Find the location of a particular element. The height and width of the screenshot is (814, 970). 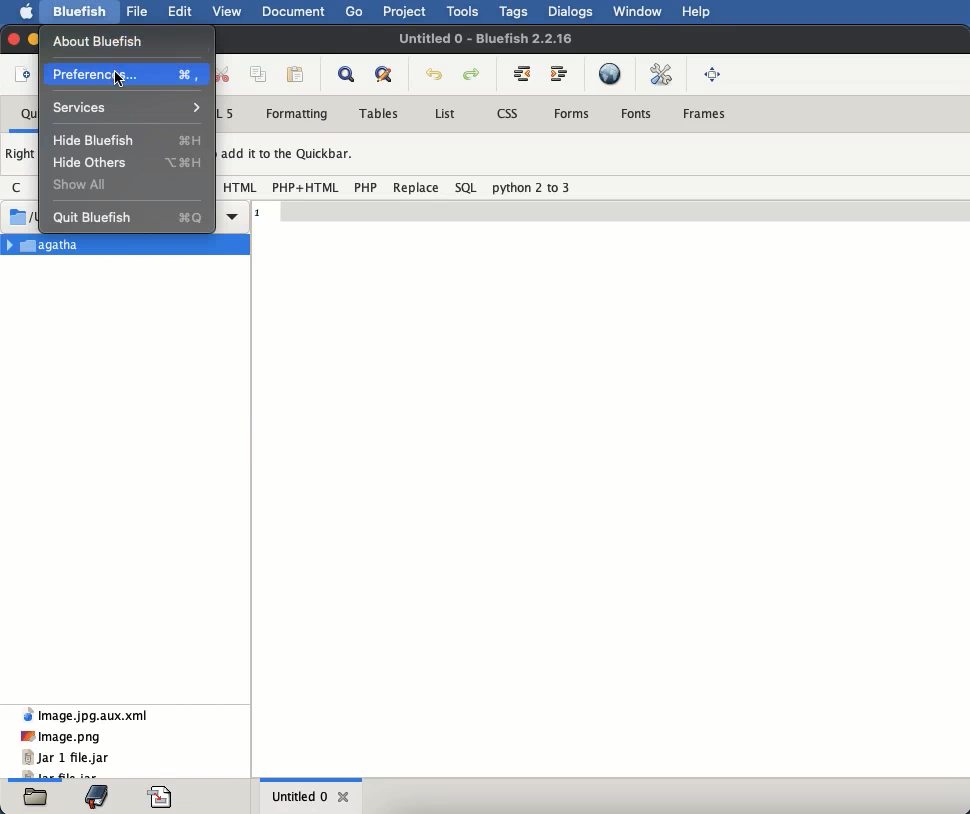

css is located at coordinates (509, 112).